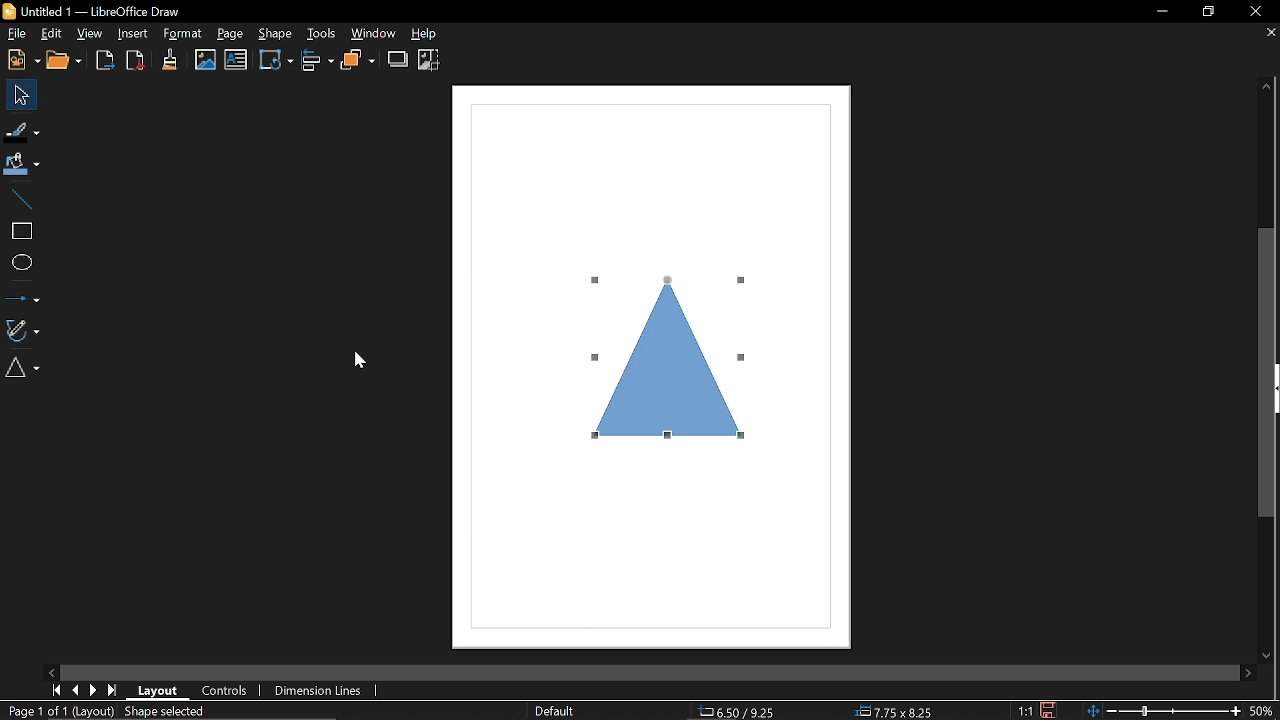  I want to click on Insert image, so click(206, 60).